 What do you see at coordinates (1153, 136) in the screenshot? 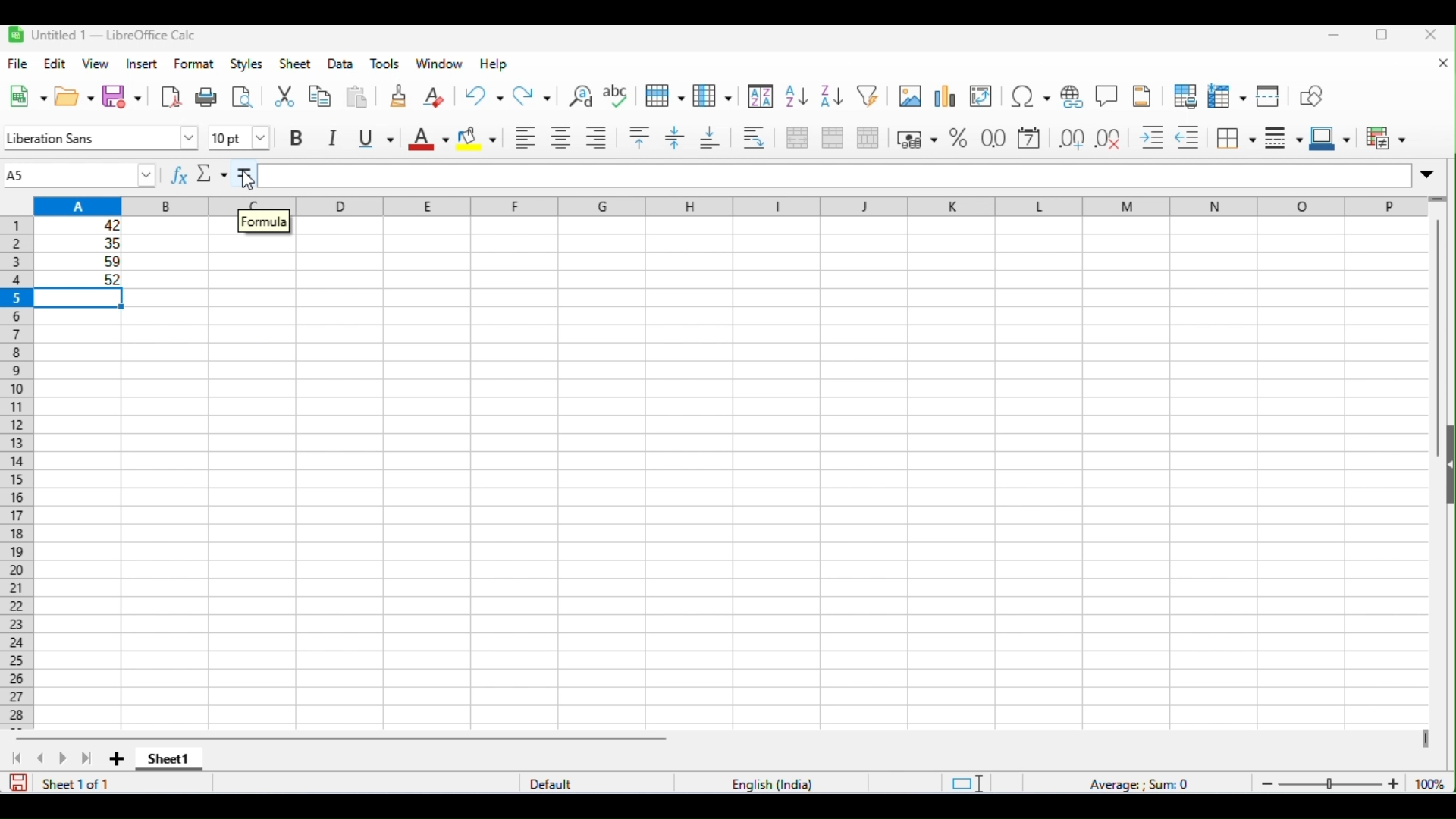
I see `increase indent` at bounding box center [1153, 136].